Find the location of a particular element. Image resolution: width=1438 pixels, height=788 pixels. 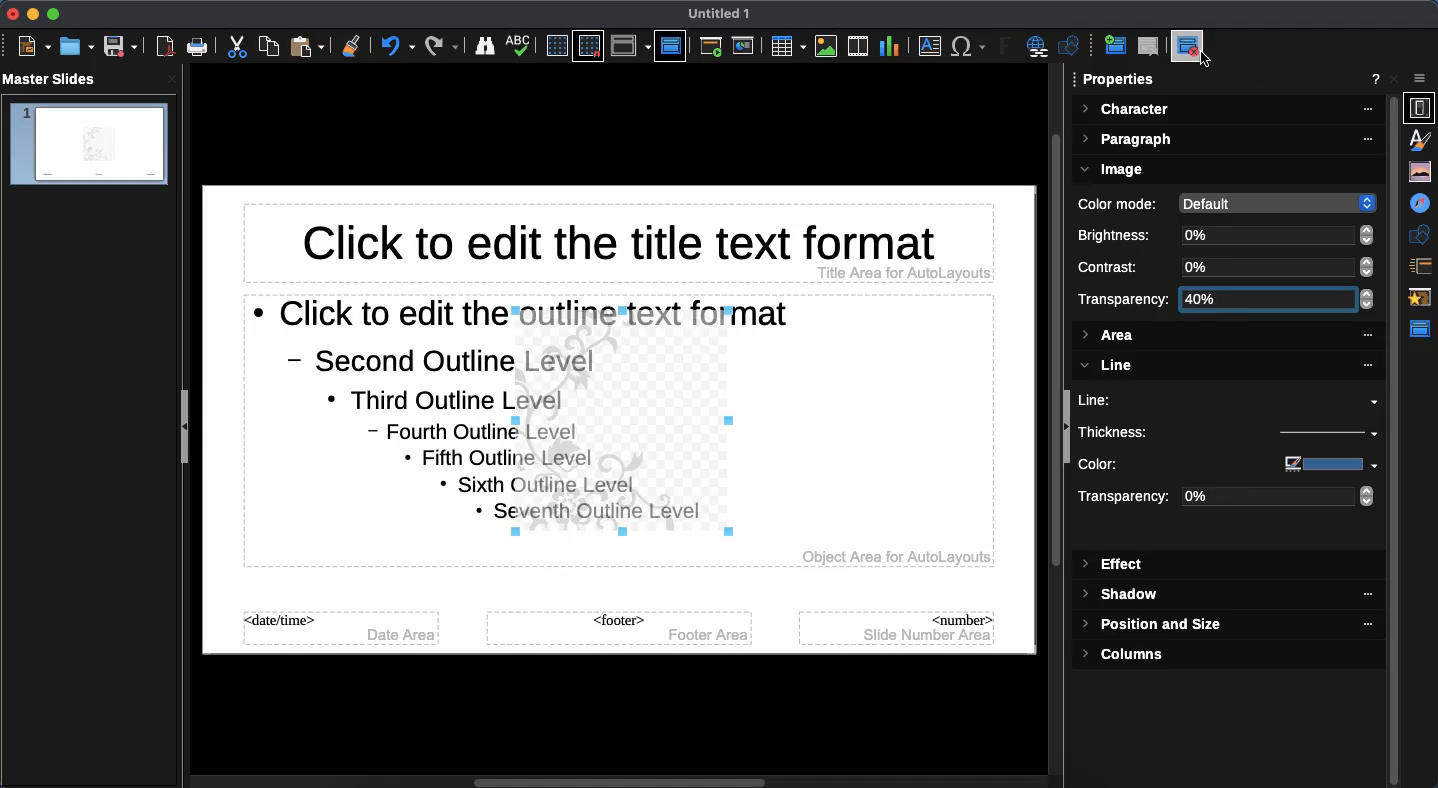

Finder is located at coordinates (485, 47).